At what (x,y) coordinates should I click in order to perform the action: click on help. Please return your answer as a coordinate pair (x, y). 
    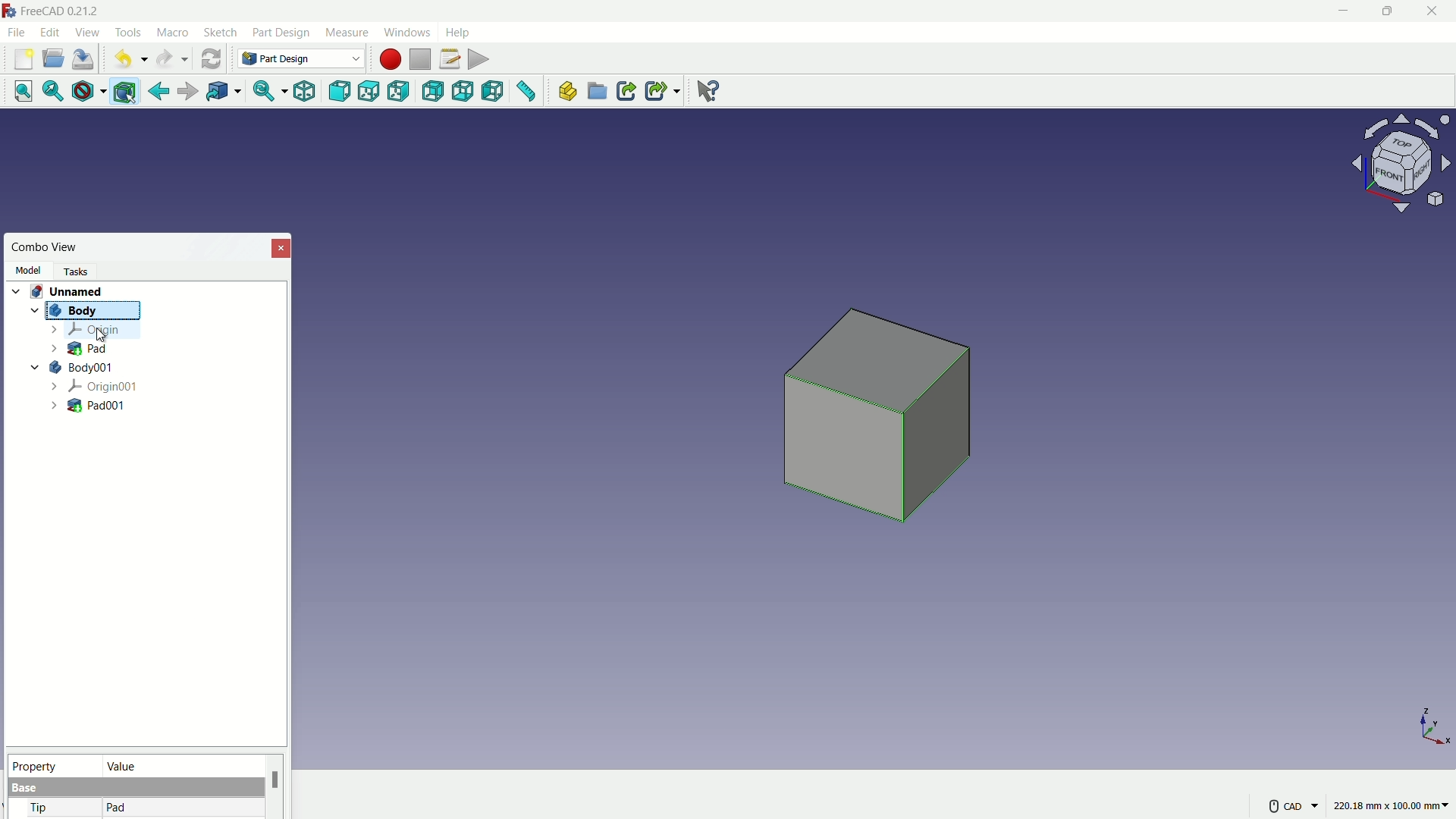
    Looking at the image, I should click on (460, 31).